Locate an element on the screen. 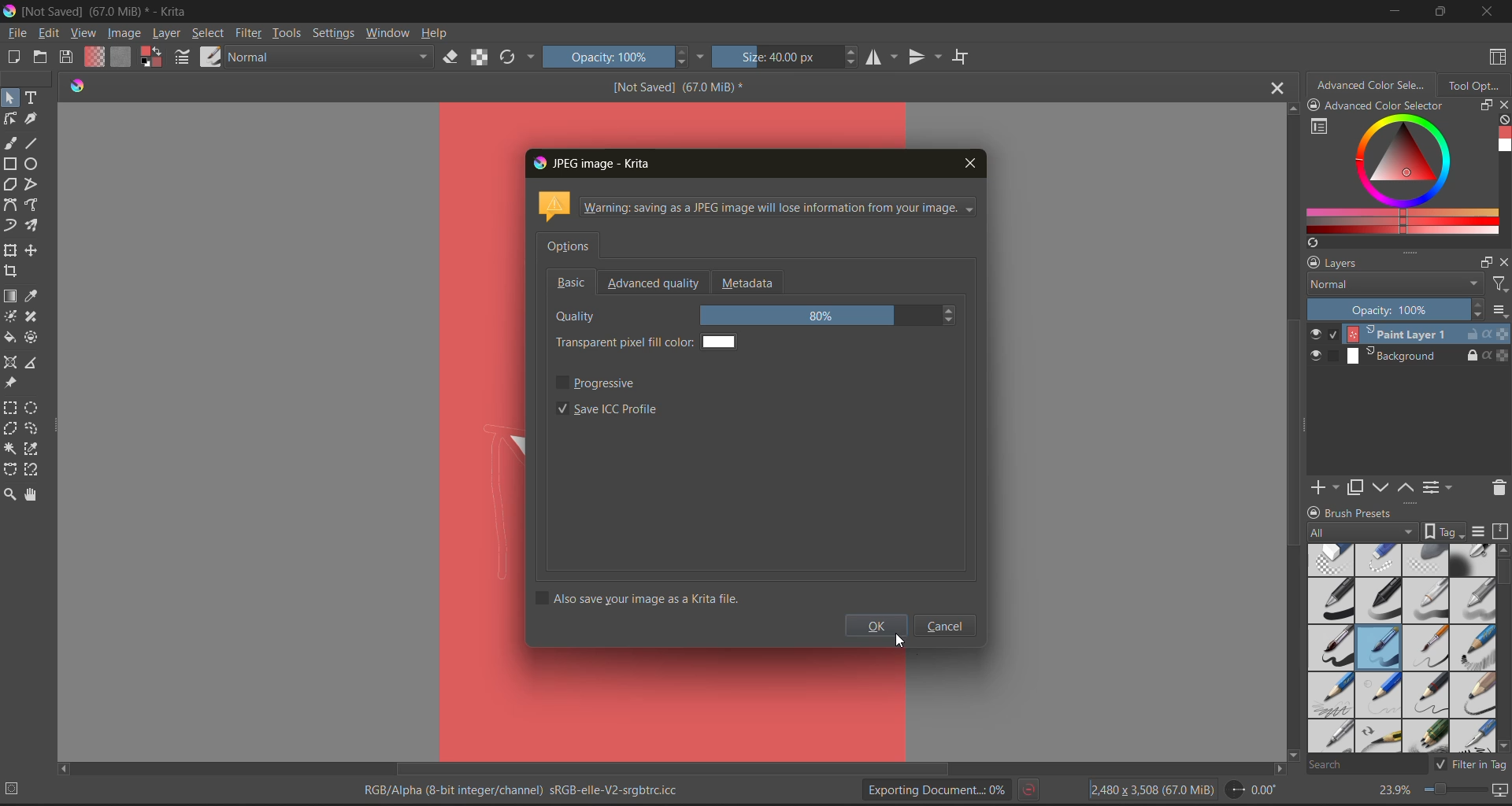  minimize is located at coordinates (1396, 14).